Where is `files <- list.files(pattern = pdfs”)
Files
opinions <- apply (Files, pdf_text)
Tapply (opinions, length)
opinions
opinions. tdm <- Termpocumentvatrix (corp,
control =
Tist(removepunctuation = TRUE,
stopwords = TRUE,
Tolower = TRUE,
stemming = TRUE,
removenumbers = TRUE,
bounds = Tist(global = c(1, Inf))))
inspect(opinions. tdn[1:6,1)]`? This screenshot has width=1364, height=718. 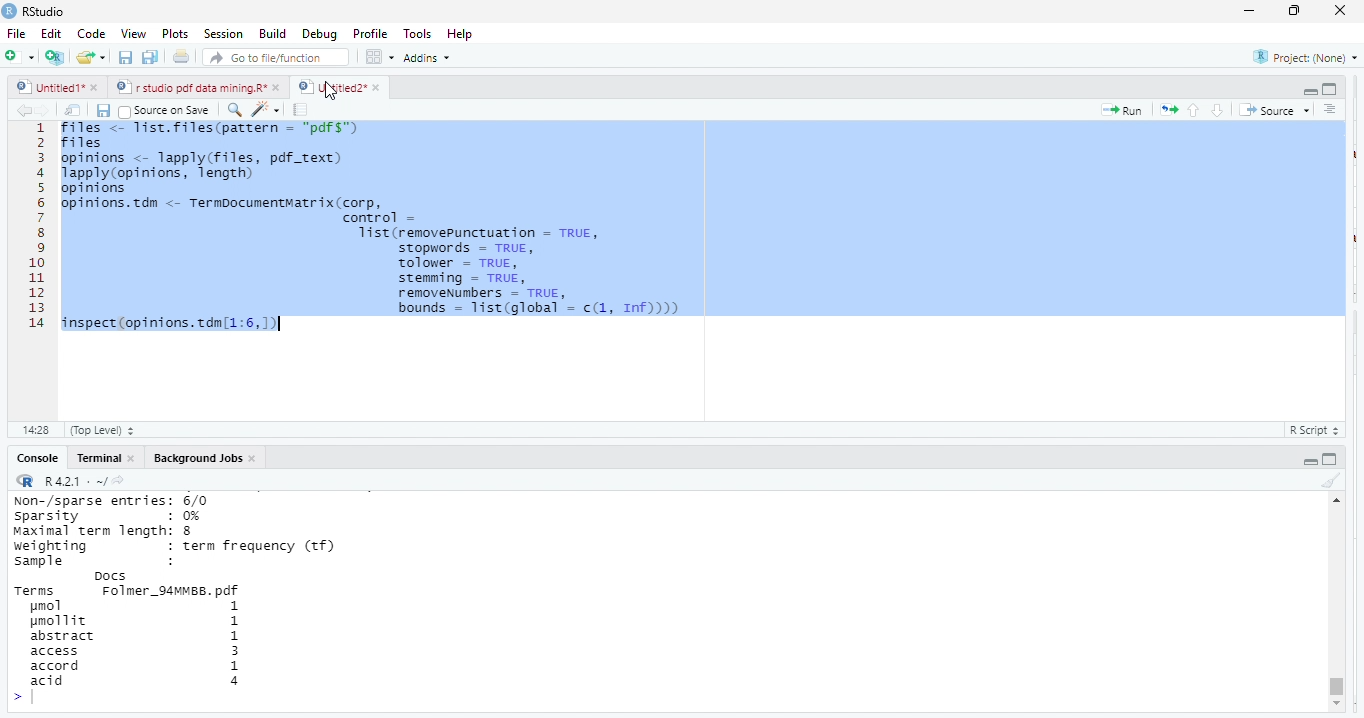 files <- list.files(pattern = pdfs”)
Files
opinions <- apply (Files, pdf_text)
Tapply (opinions, length)
opinions
opinions. tdm <- Termpocumentvatrix (corp,
control =
Tist(removepunctuation = TRUE,
stopwords = TRUE,
Tolower = TRUE,
stemming = TRUE,
removenumbers = TRUE,
bounds = Tist(global = c(1, Inf))))
inspect(opinions. tdn[1:6,1)] is located at coordinates (701, 227).